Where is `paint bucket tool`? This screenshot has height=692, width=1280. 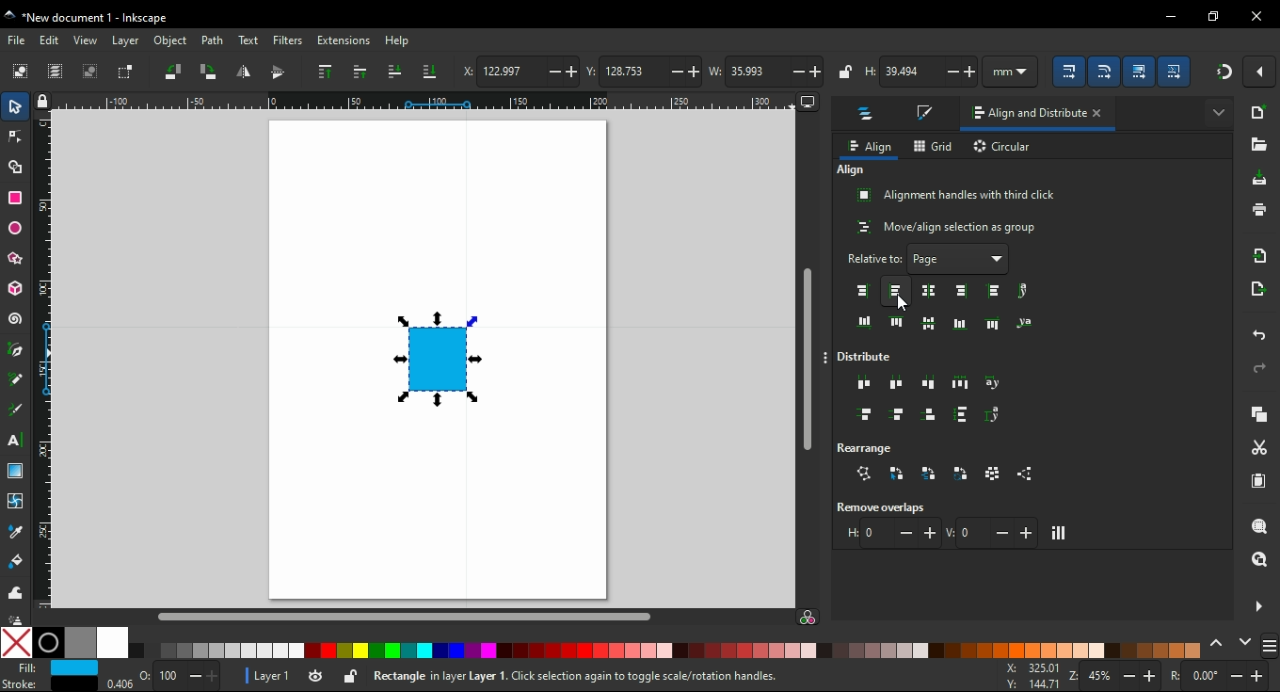 paint bucket tool is located at coordinates (16, 561).